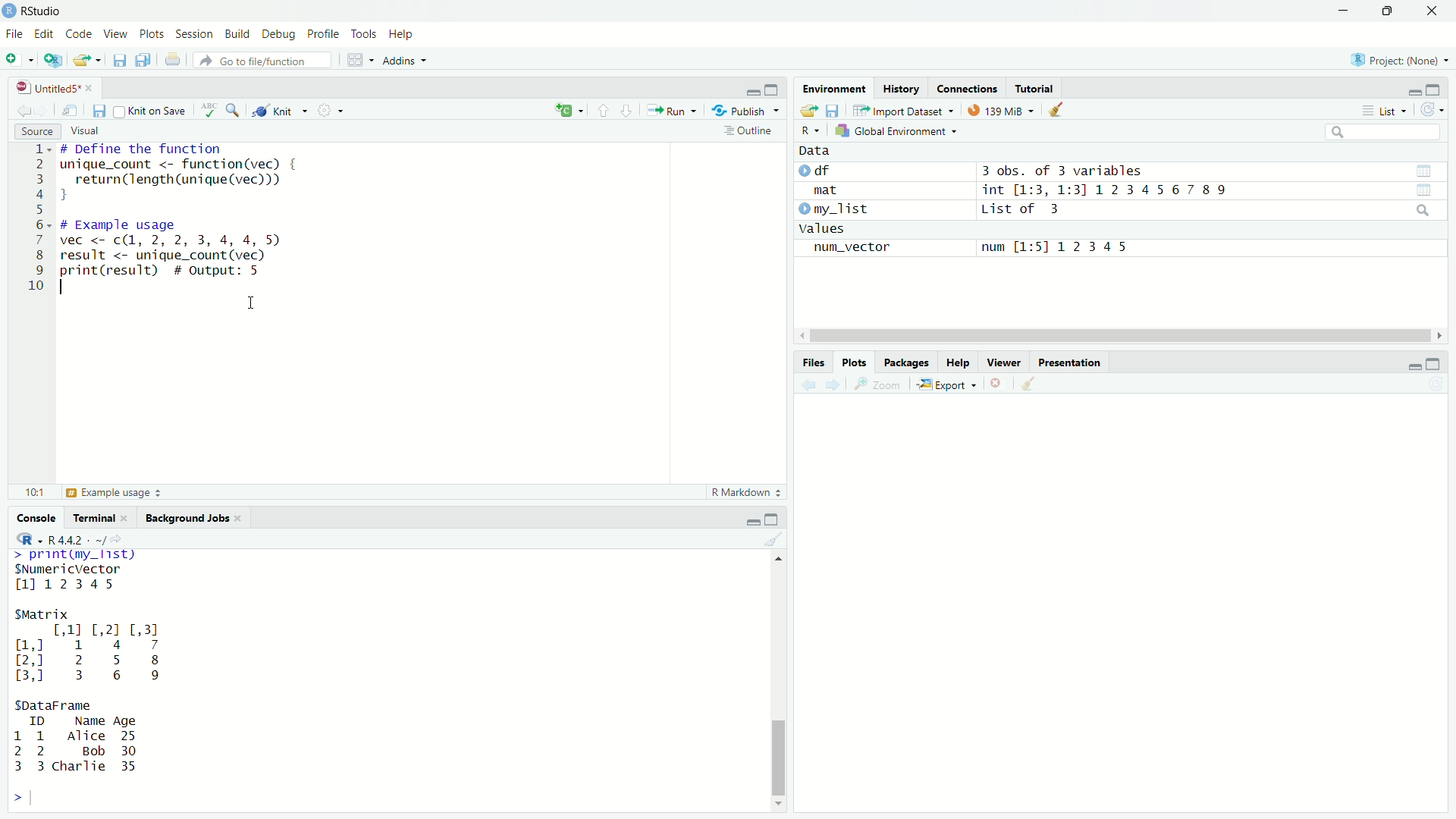  Describe the element at coordinates (121, 60) in the screenshot. I see `save` at that location.